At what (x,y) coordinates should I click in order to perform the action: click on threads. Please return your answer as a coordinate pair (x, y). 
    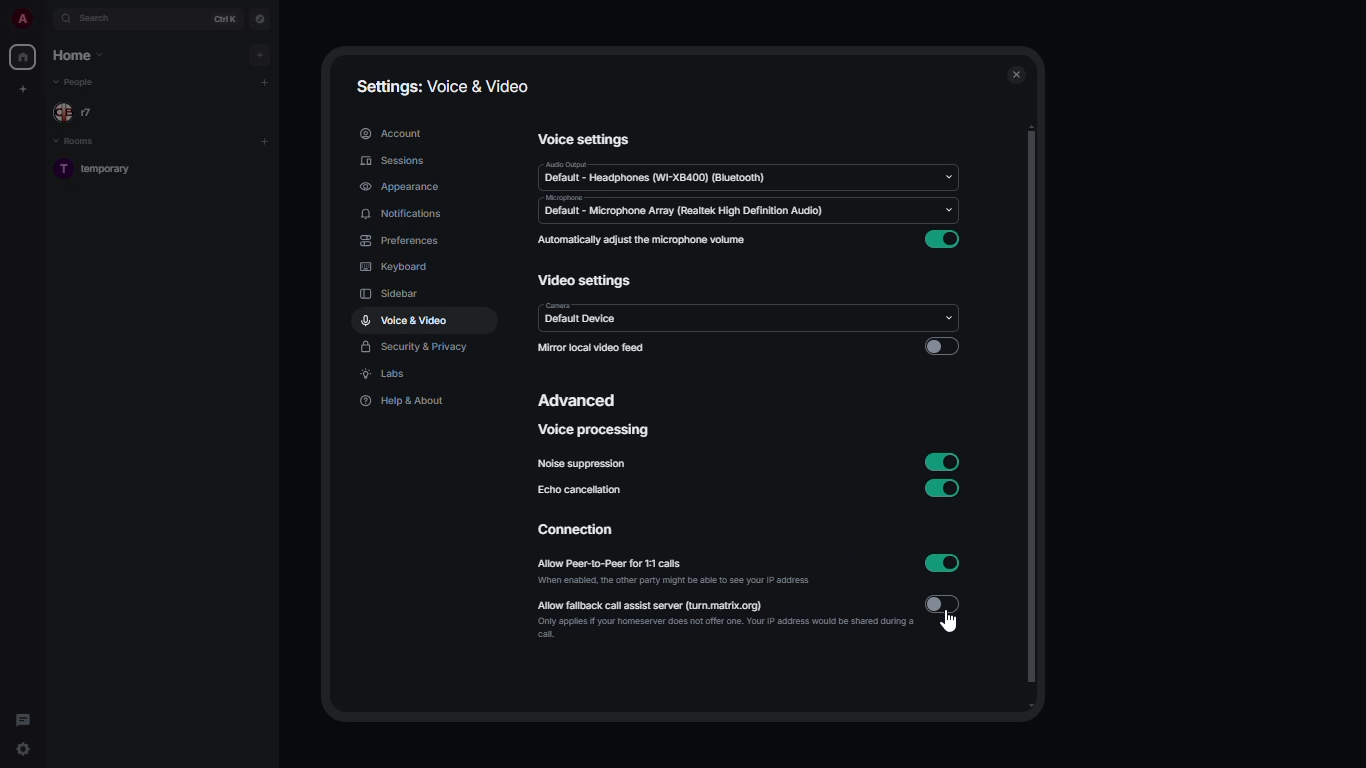
    Looking at the image, I should click on (21, 718).